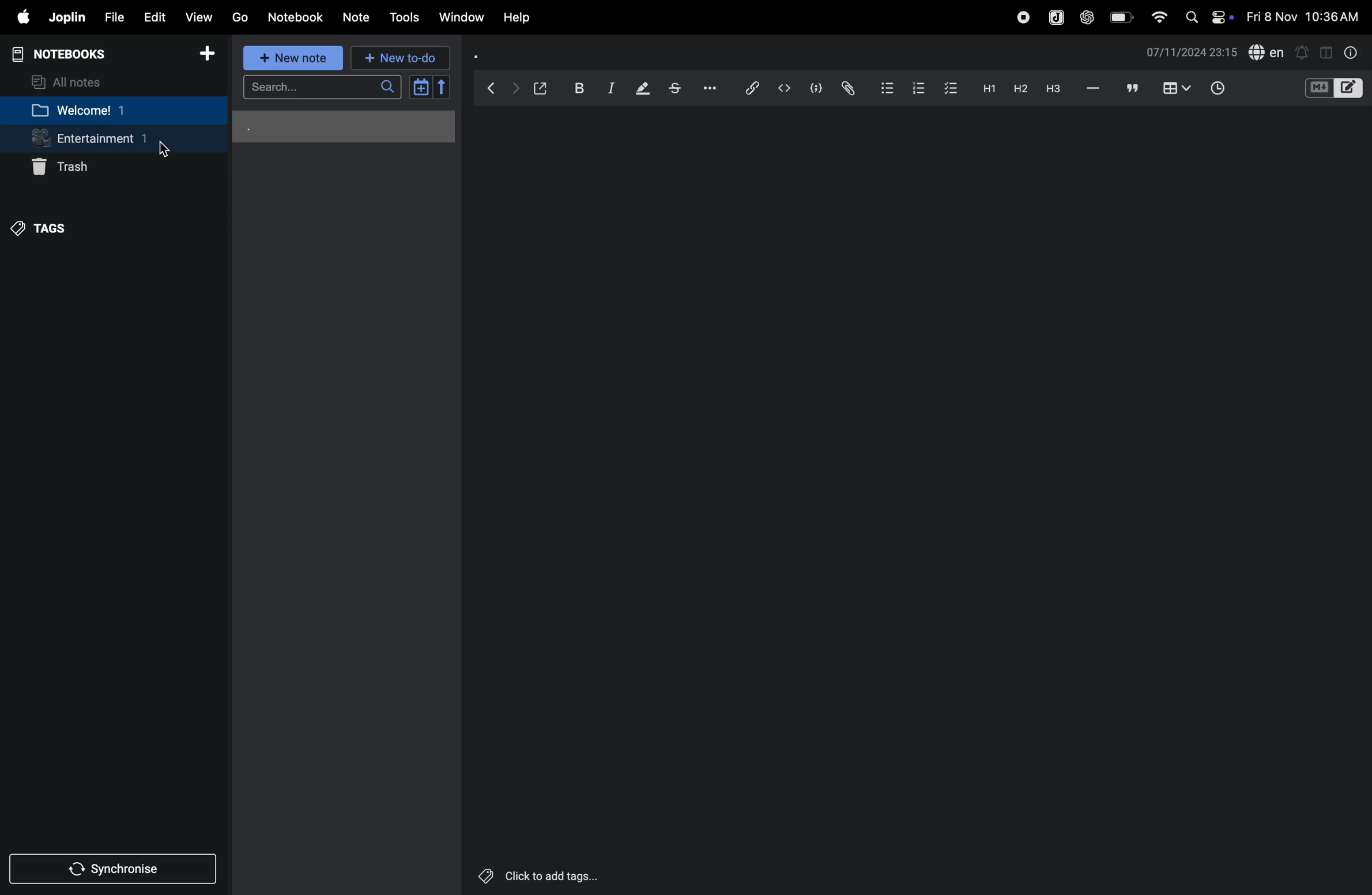  What do you see at coordinates (1212, 16) in the screenshot?
I see `apple widgets` at bounding box center [1212, 16].